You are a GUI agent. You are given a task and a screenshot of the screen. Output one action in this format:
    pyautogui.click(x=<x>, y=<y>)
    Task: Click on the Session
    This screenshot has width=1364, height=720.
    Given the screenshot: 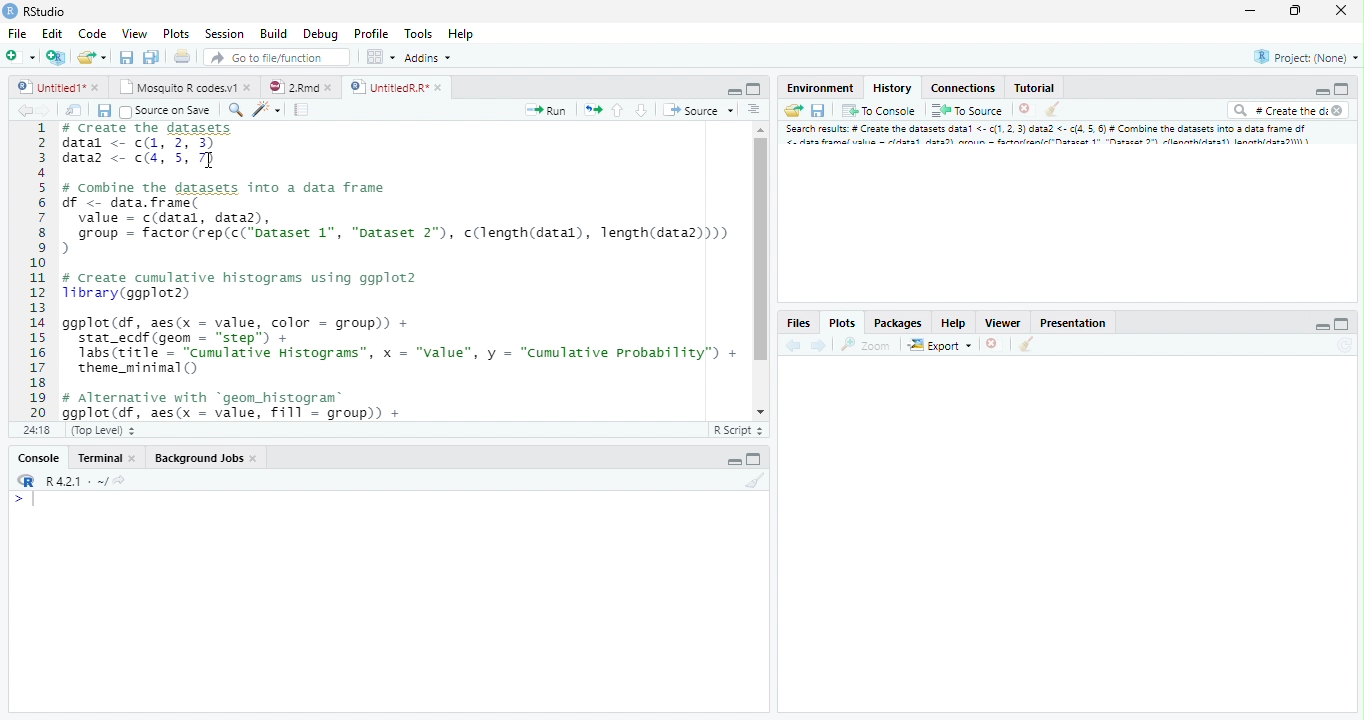 What is the action you would take?
    pyautogui.click(x=227, y=34)
    